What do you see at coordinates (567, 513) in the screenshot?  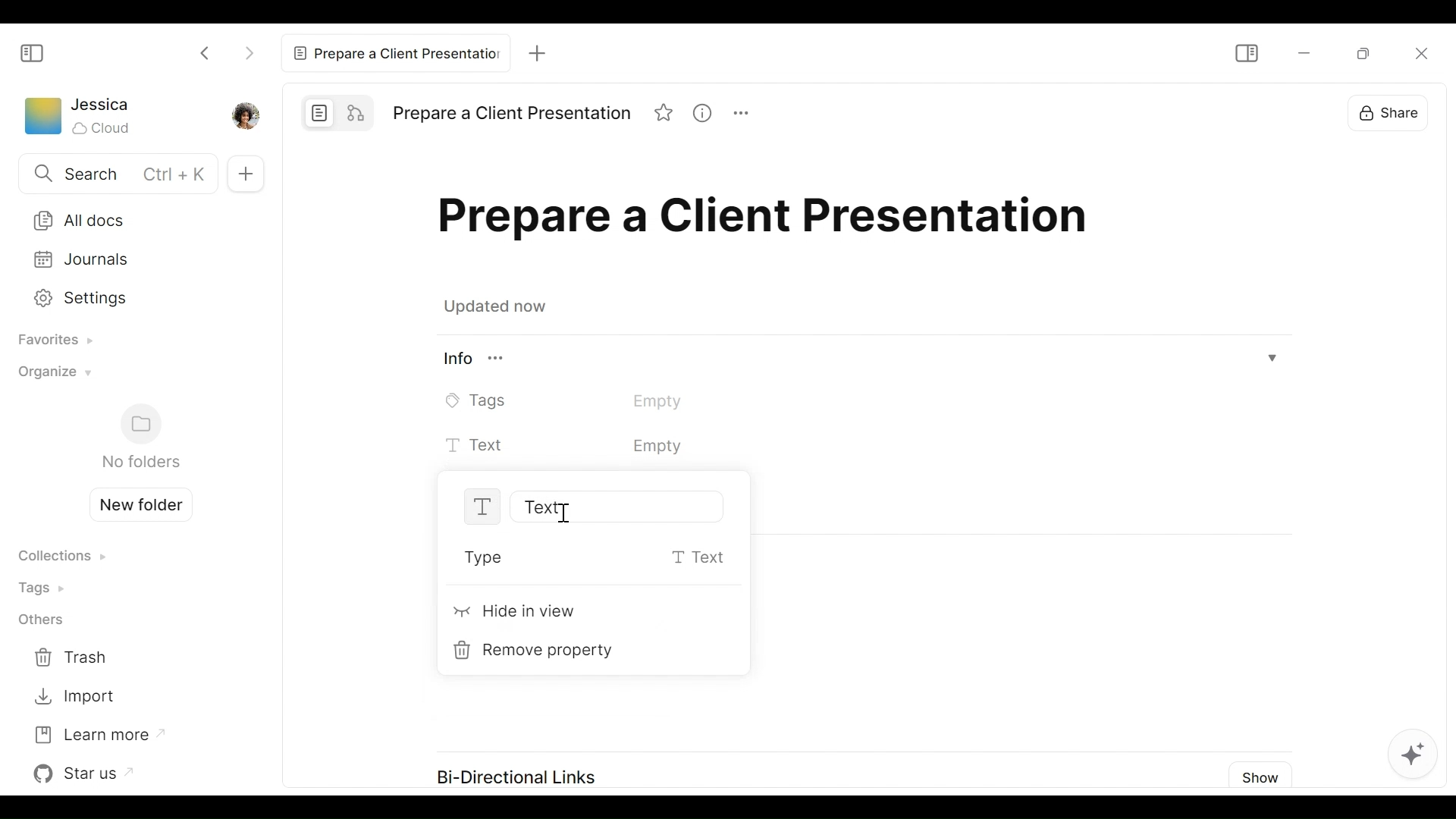 I see `Insertion cursor` at bounding box center [567, 513].